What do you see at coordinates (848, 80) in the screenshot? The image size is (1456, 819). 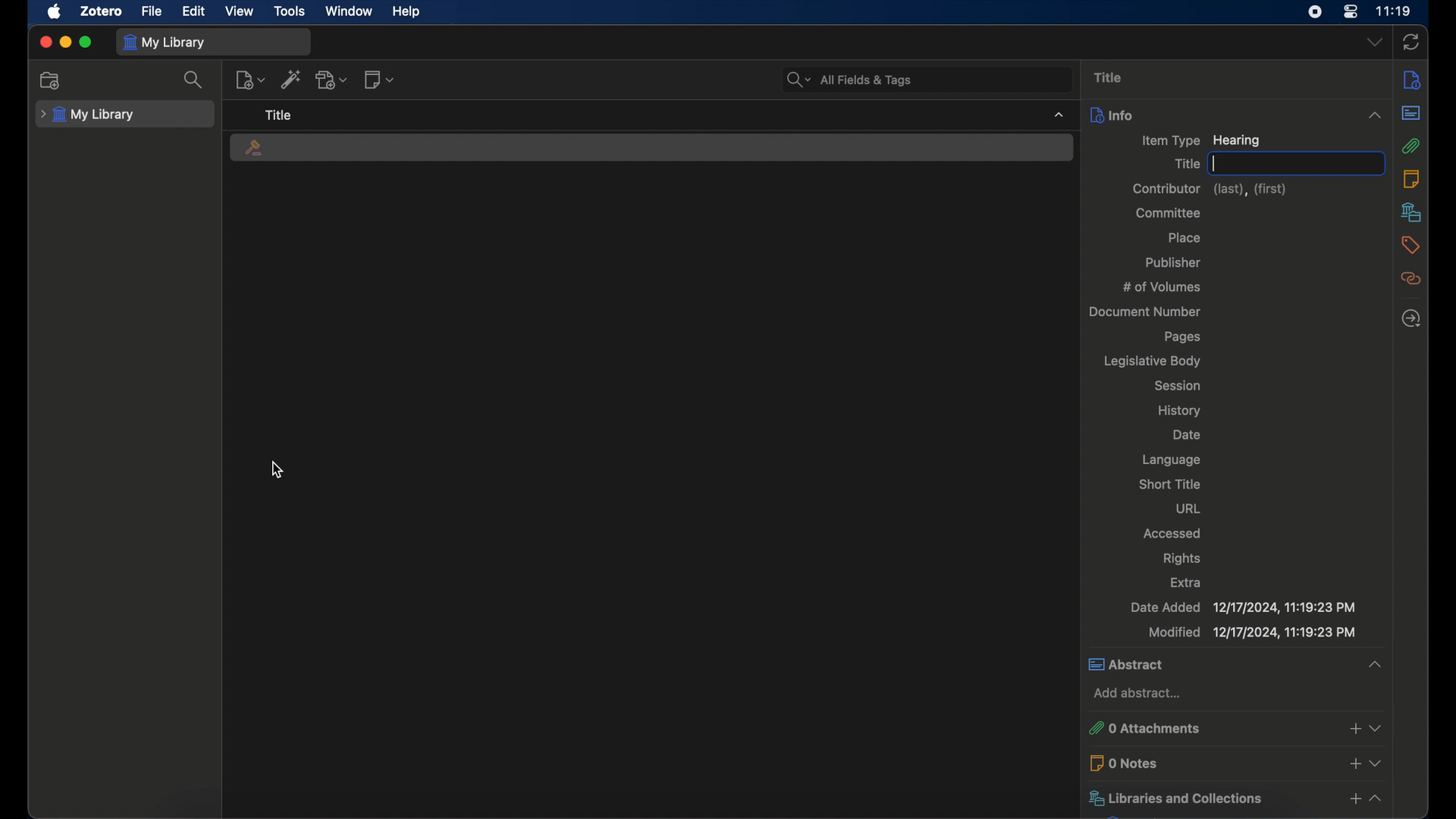 I see `search` at bounding box center [848, 80].